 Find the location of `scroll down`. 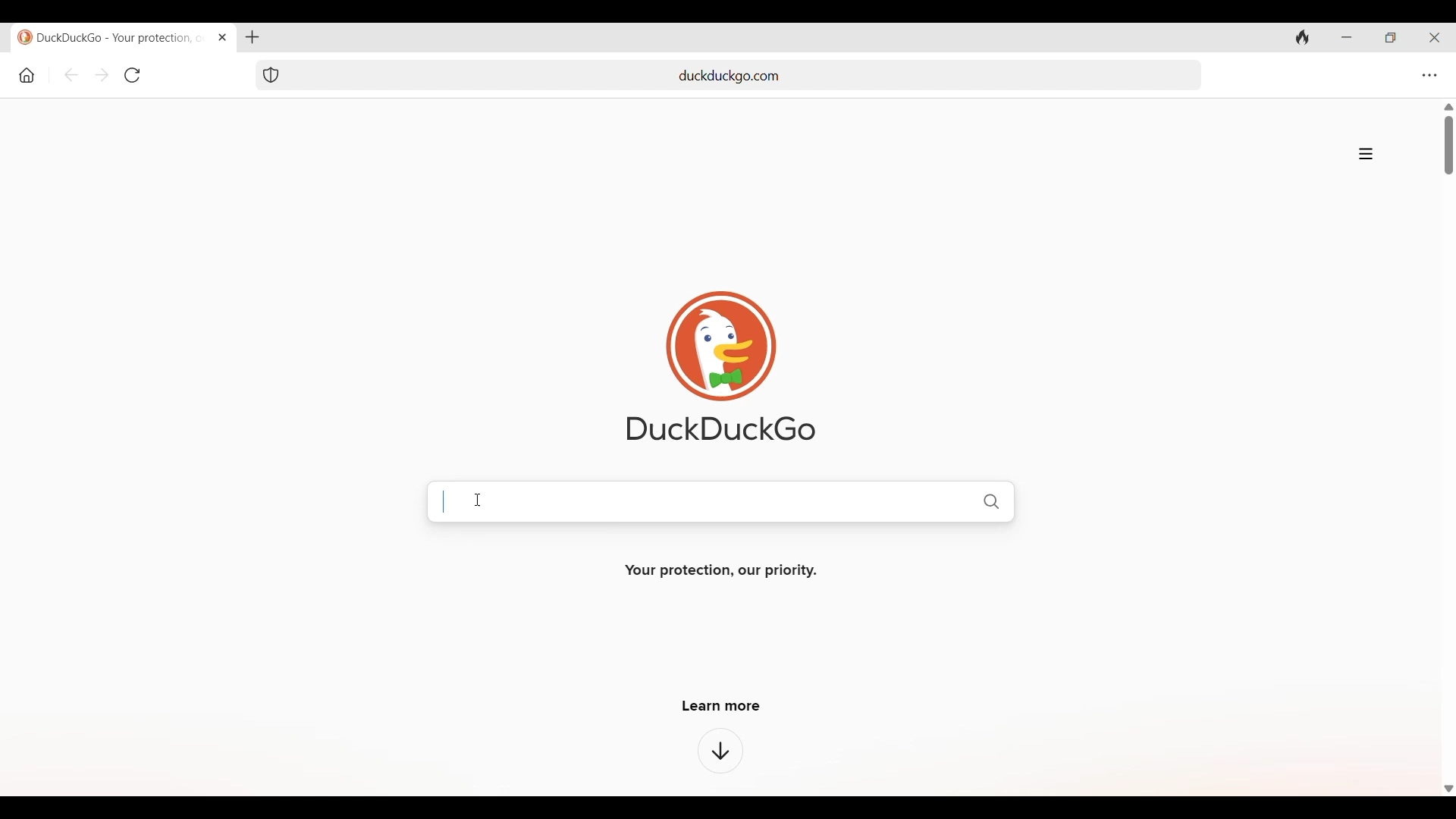

scroll down is located at coordinates (1447, 789).